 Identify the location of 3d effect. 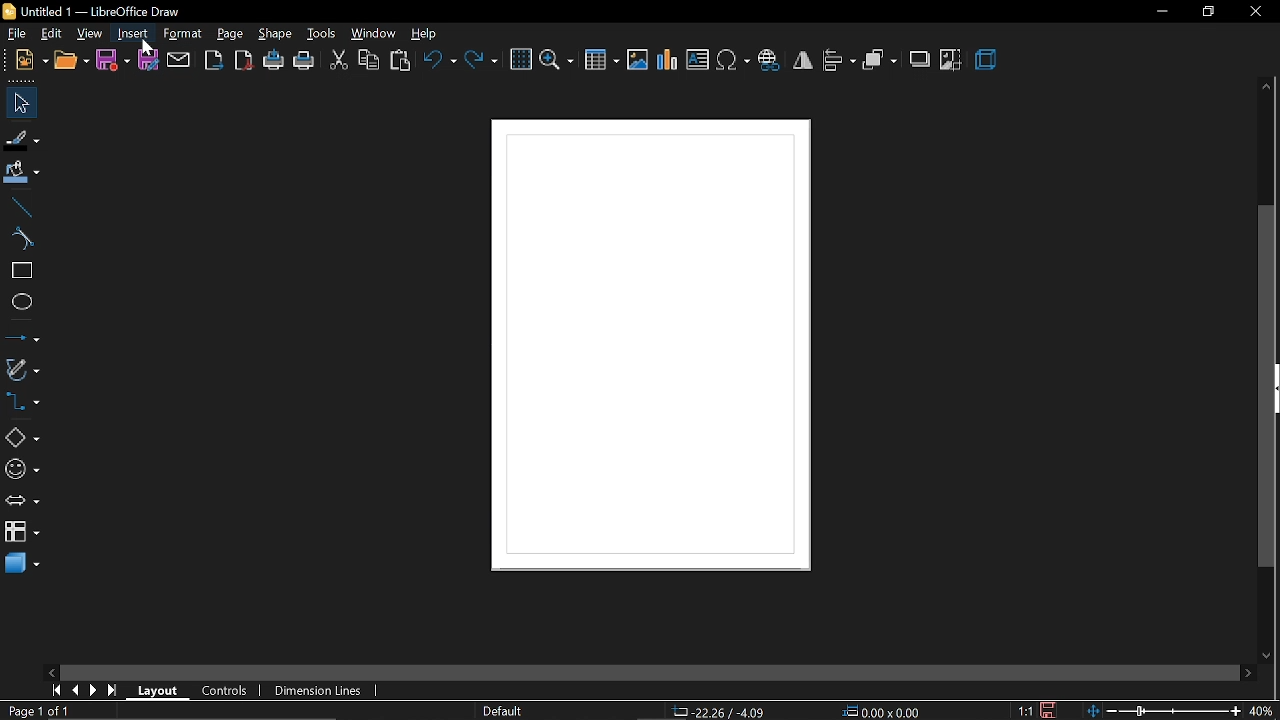
(986, 60).